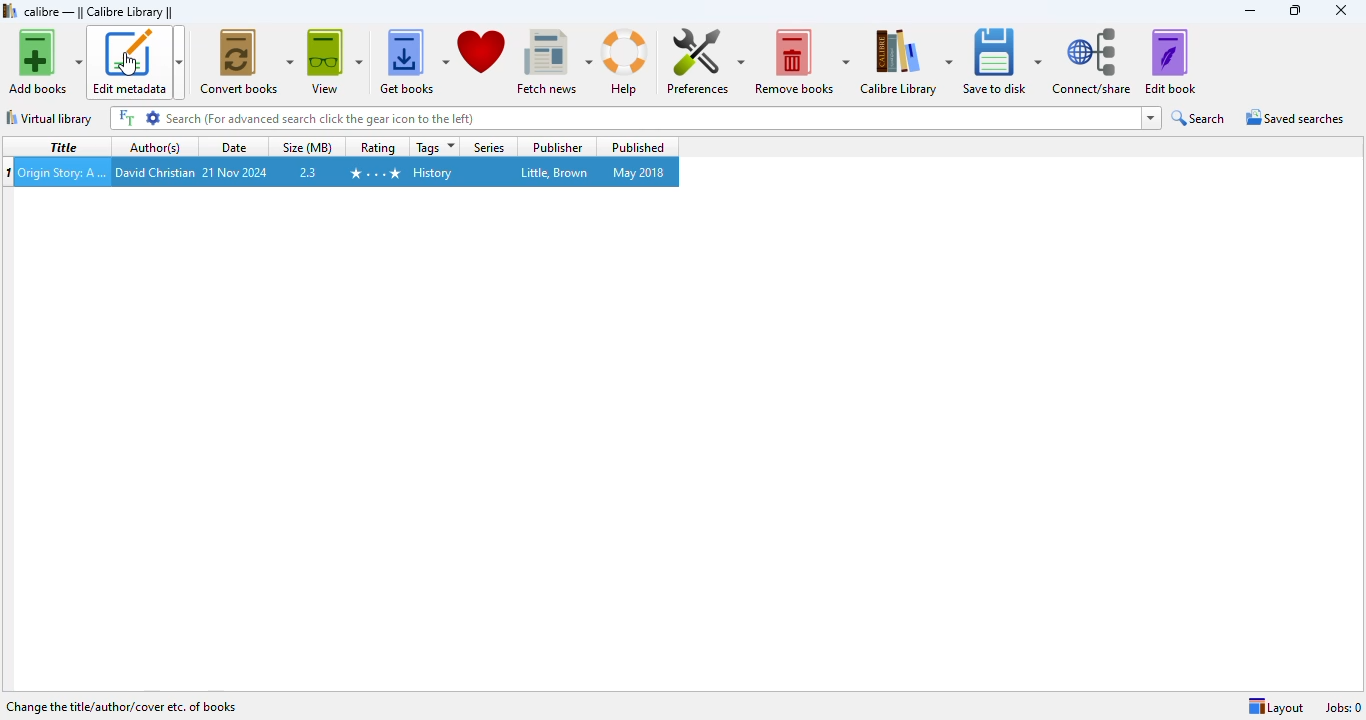 Image resolution: width=1366 pixels, height=720 pixels. I want to click on published, so click(637, 147).